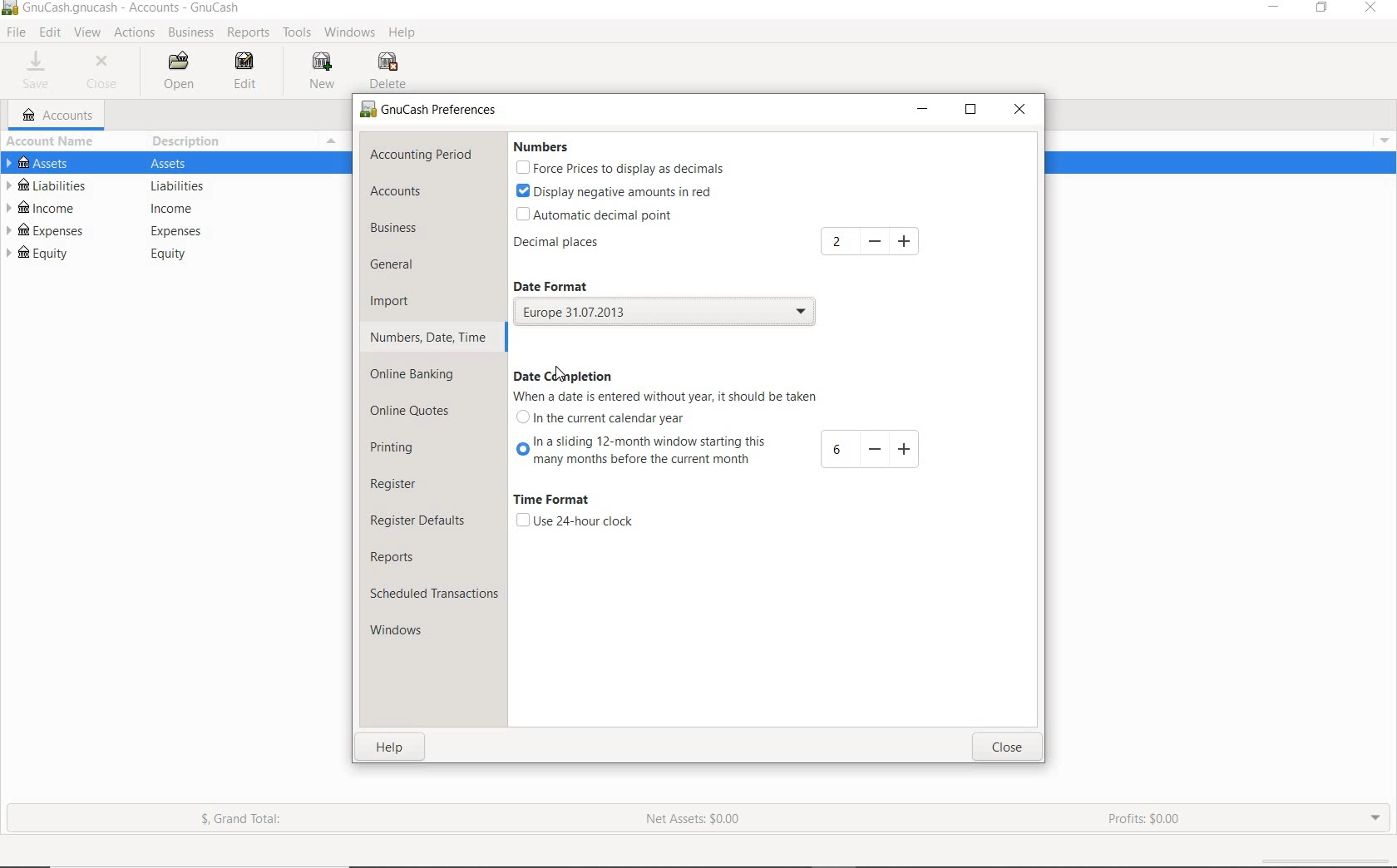  Describe the element at coordinates (411, 557) in the screenshot. I see `reports` at that location.